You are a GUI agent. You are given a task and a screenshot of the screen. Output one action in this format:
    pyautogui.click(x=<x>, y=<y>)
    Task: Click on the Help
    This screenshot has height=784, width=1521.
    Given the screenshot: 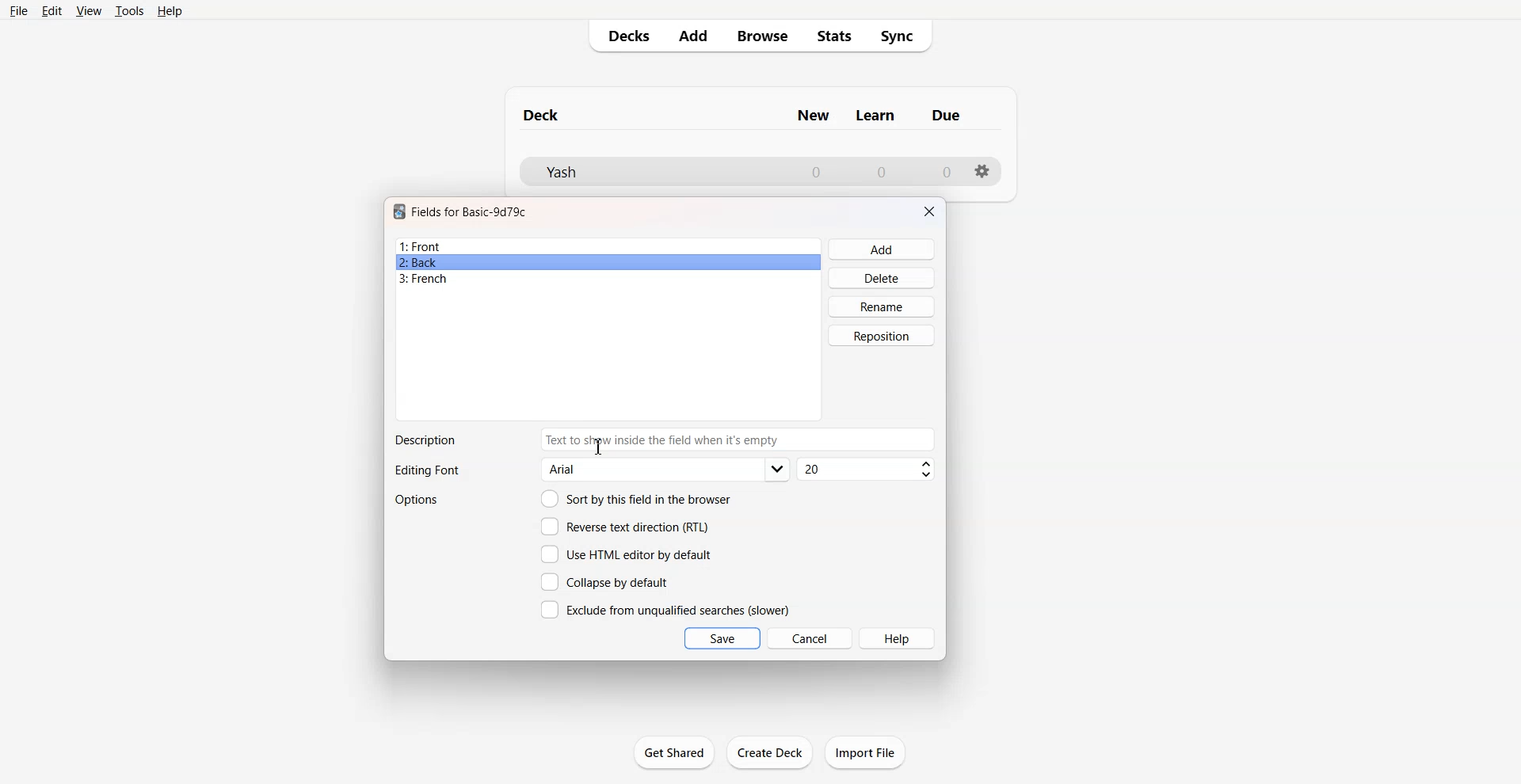 What is the action you would take?
    pyautogui.click(x=898, y=638)
    